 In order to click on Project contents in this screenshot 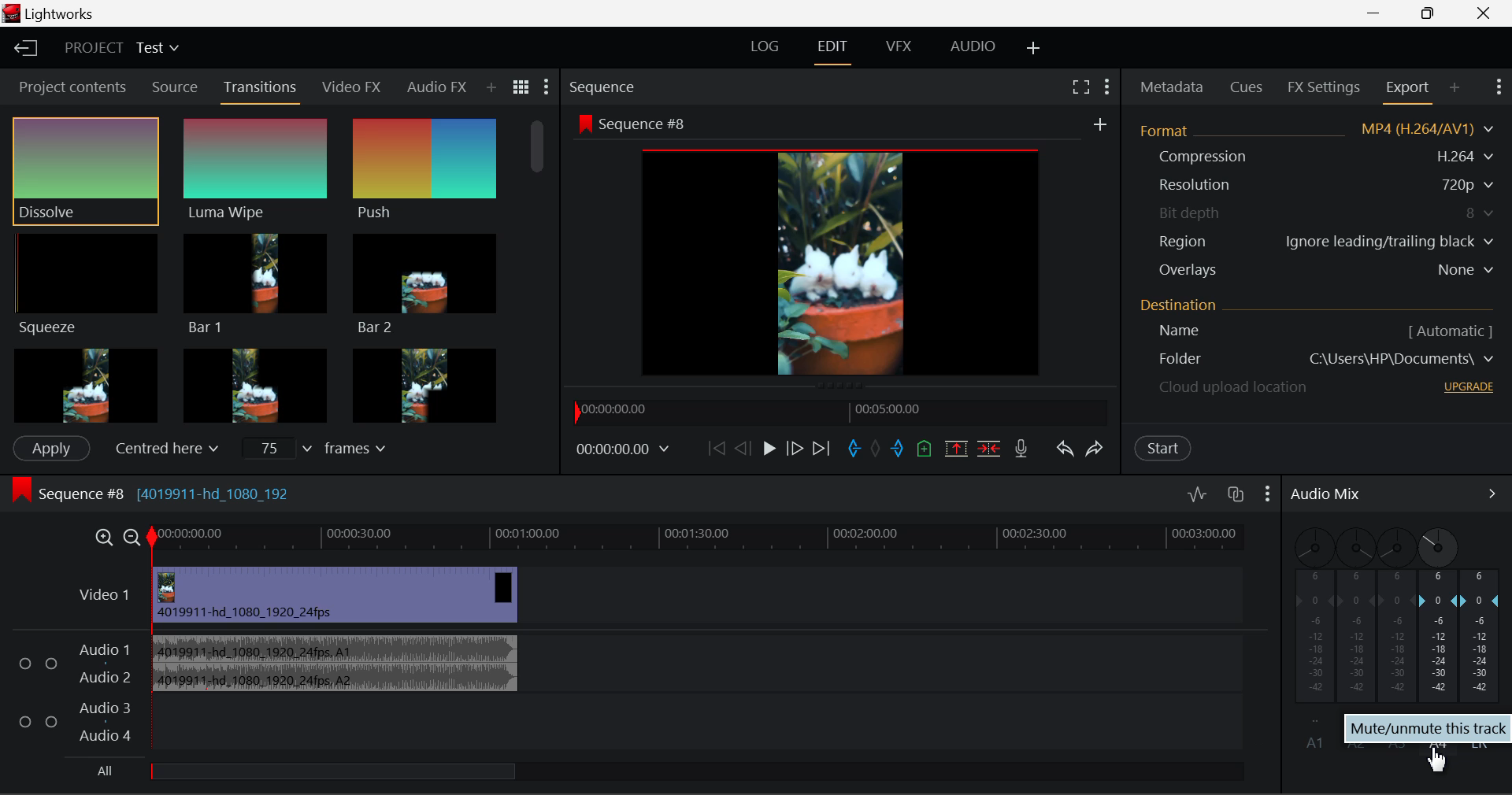, I will do `click(67, 87)`.